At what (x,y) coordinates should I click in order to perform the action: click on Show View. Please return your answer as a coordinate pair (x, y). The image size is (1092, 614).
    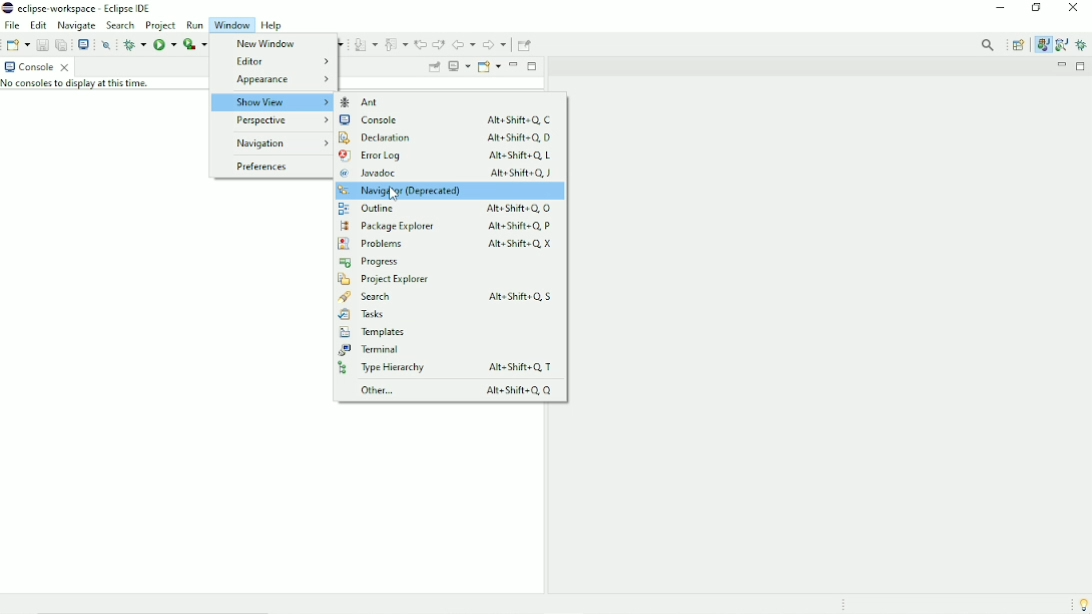
    Looking at the image, I should click on (271, 102).